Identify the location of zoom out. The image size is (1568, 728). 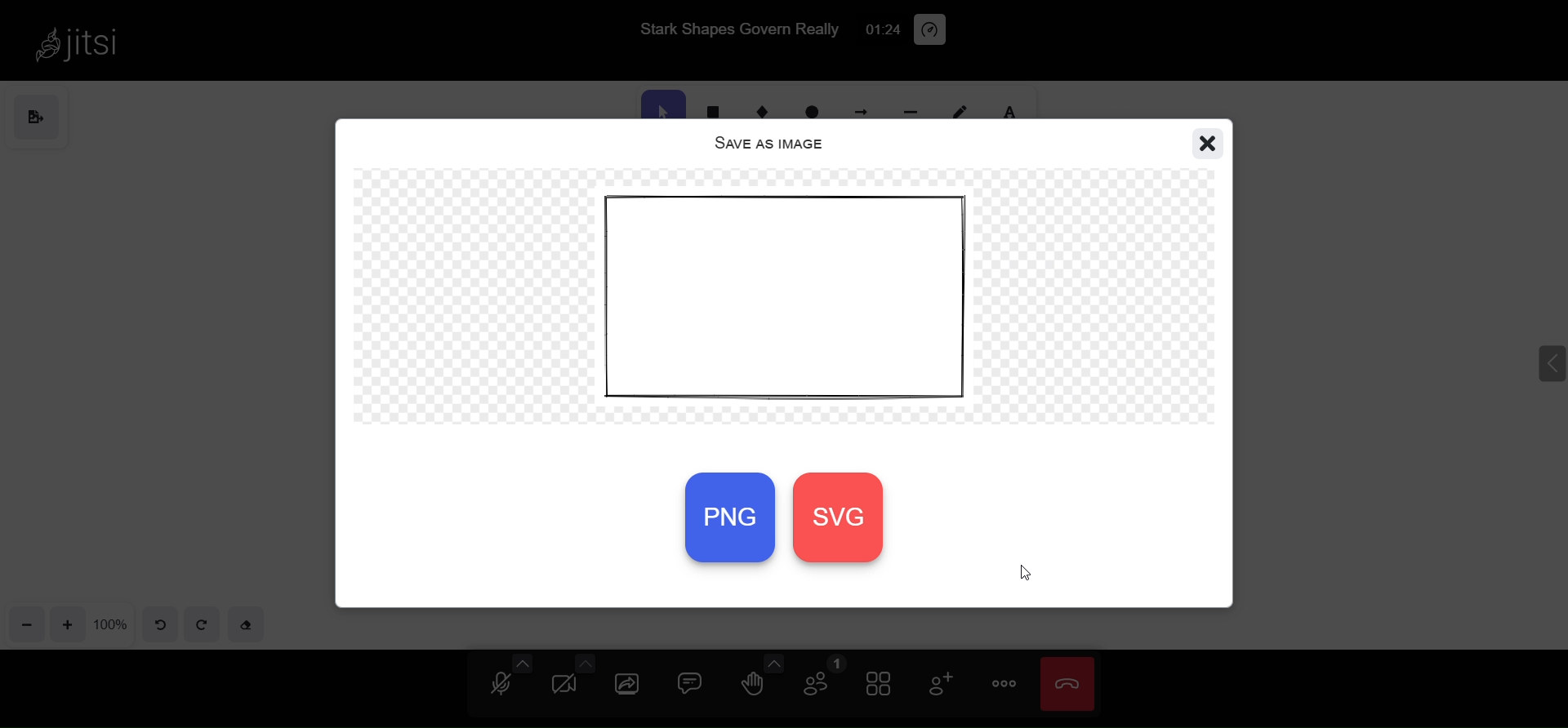
(25, 625).